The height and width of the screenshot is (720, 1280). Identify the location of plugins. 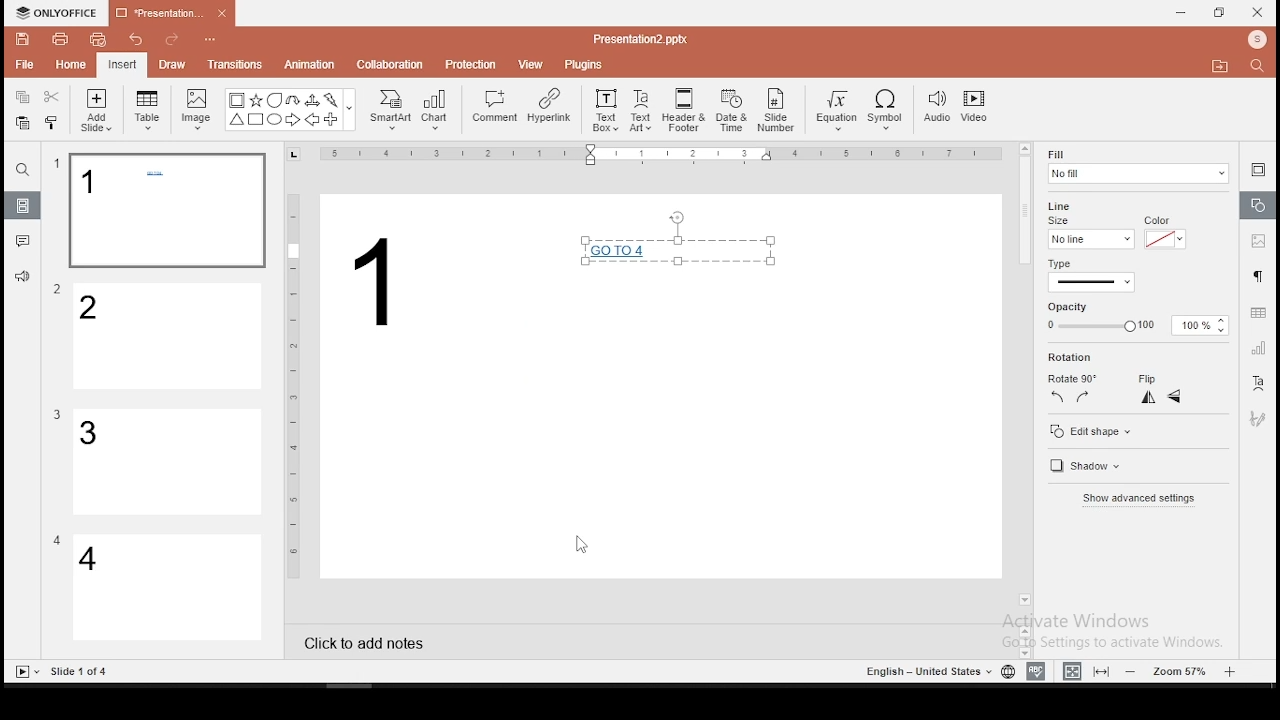
(585, 61).